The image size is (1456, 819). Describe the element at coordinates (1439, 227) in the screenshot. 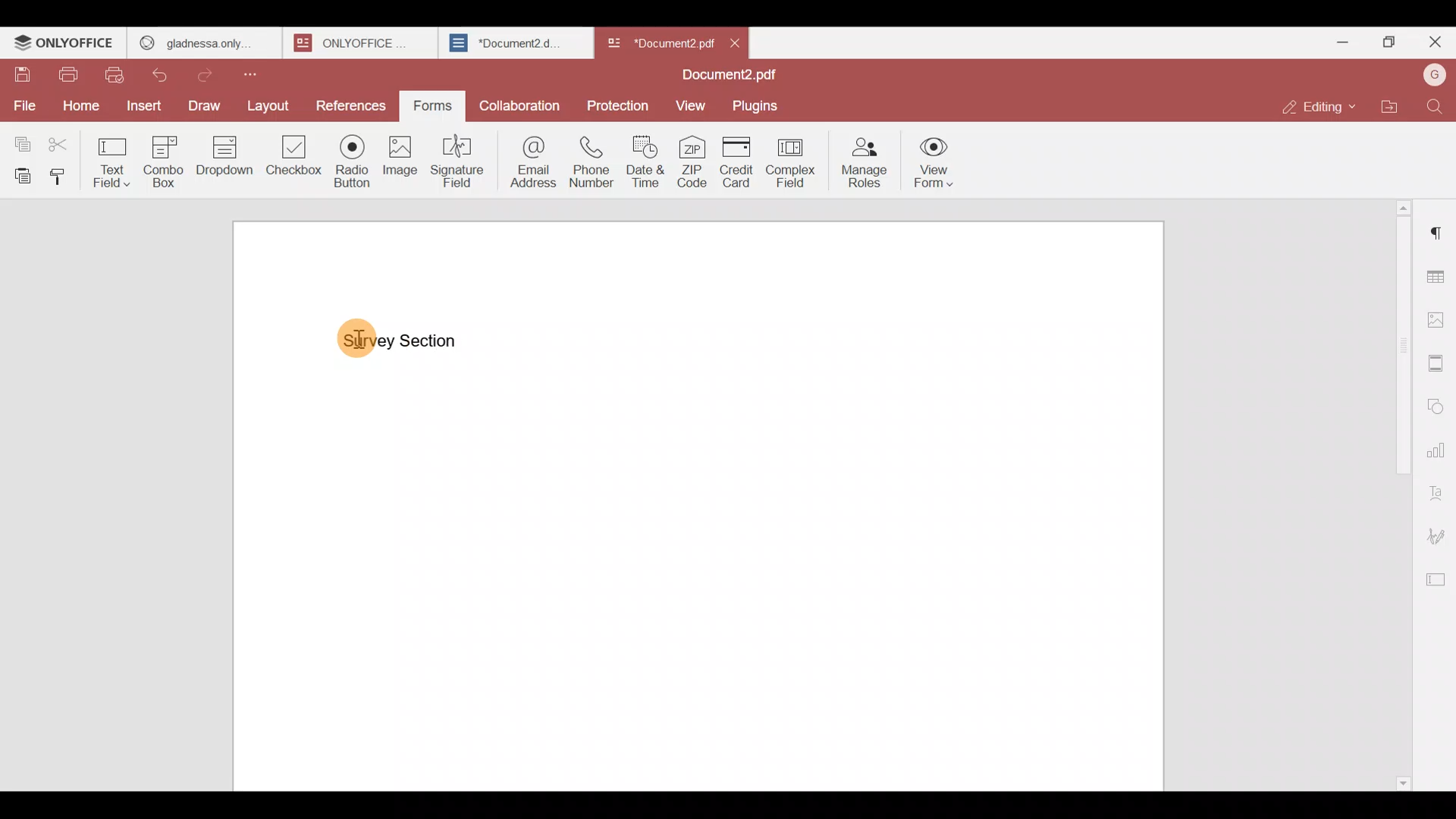

I see `Paragraph settings` at that location.